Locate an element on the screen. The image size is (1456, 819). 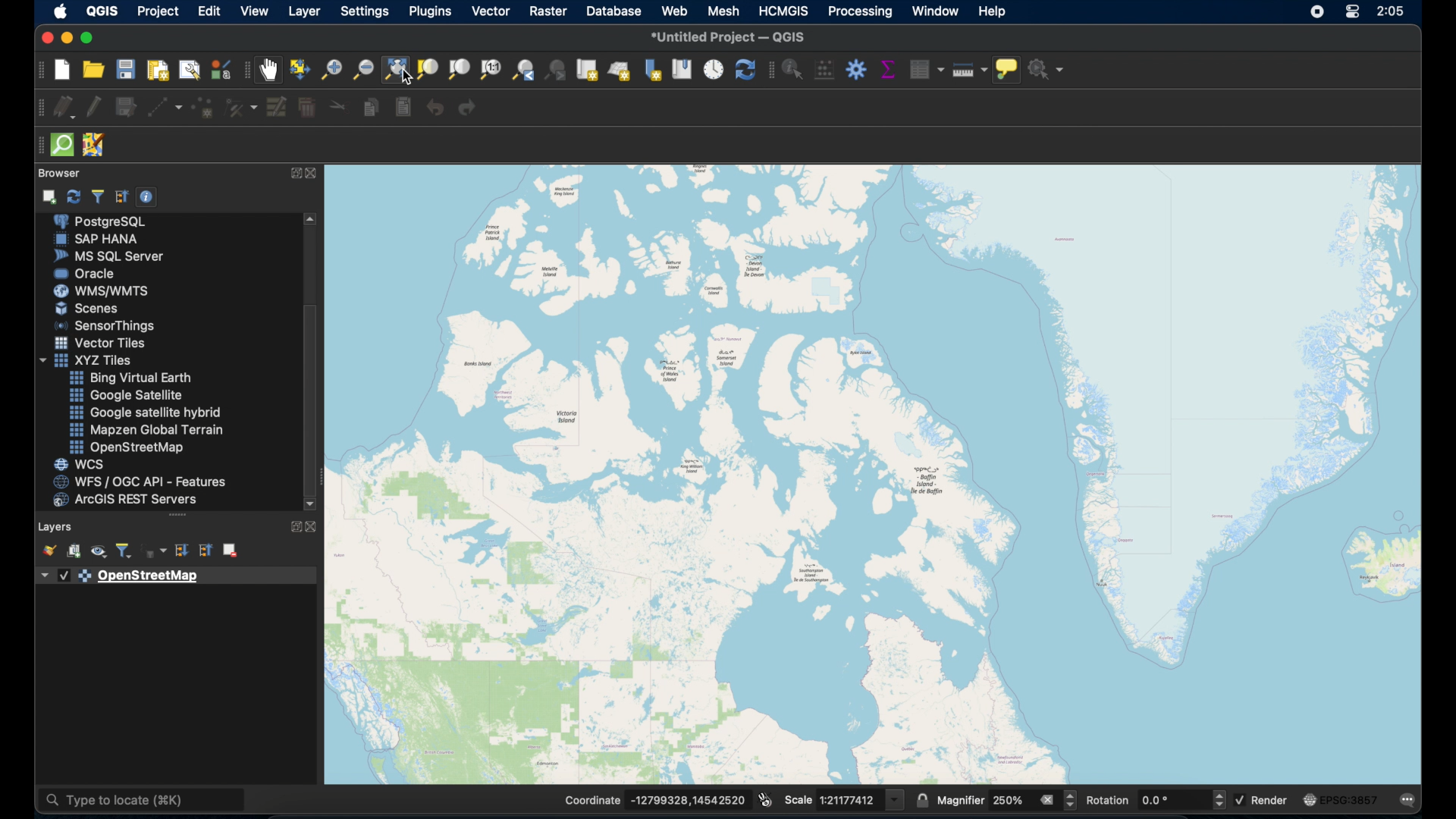
minimize is located at coordinates (67, 39).